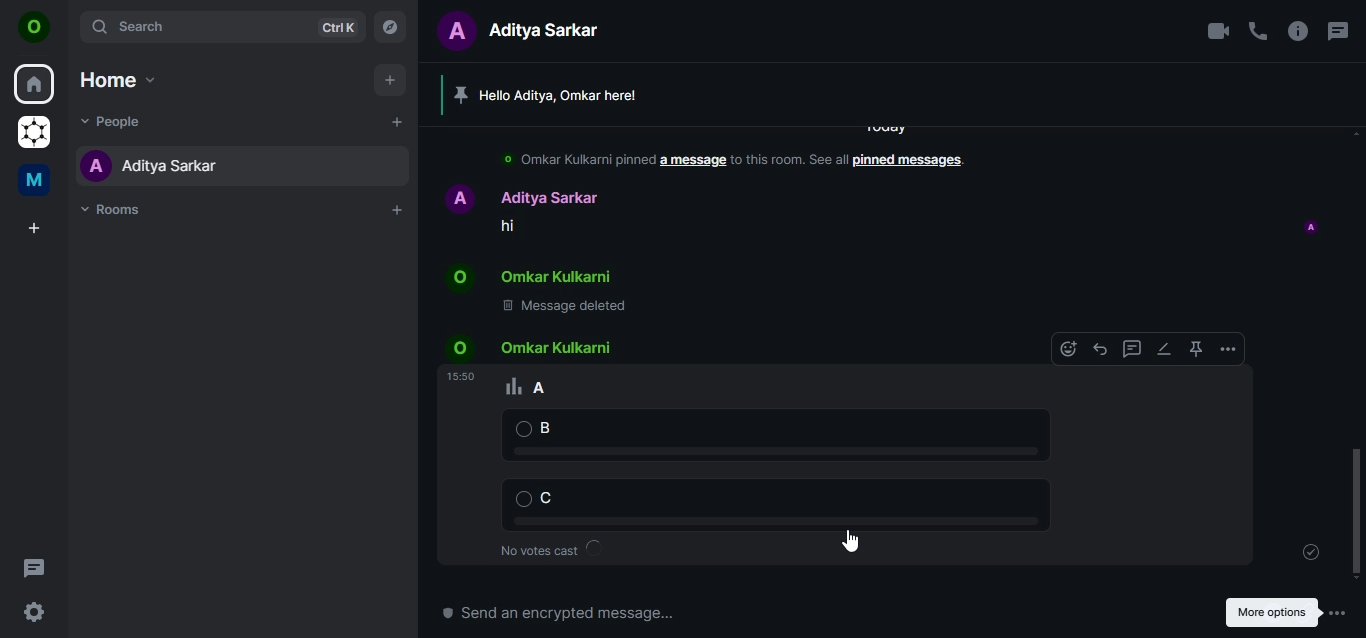 Image resolution: width=1366 pixels, height=638 pixels. Describe the element at coordinates (1163, 348) in the screenshot. I see `edit` at that location.